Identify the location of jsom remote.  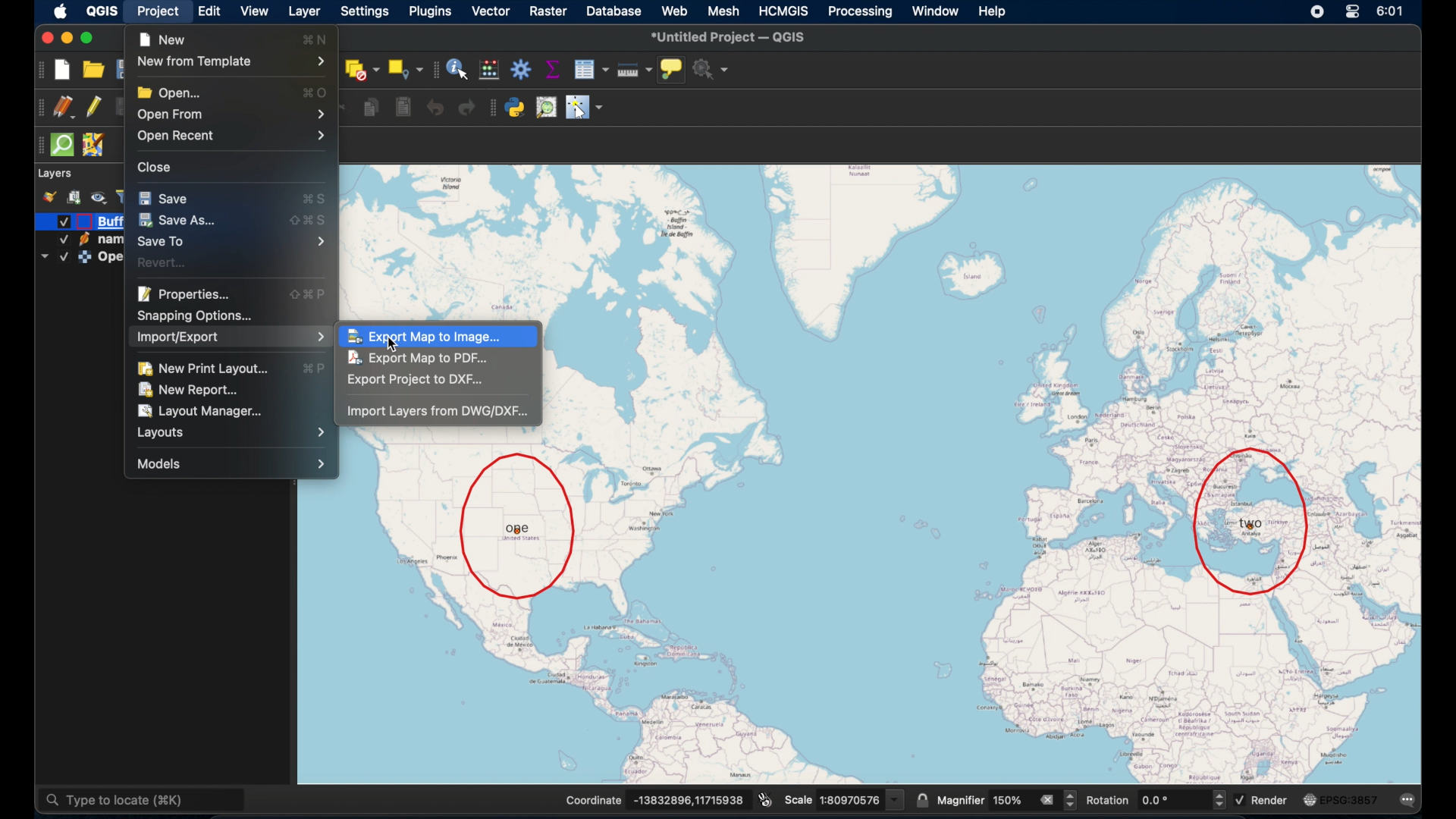
(93, 146).